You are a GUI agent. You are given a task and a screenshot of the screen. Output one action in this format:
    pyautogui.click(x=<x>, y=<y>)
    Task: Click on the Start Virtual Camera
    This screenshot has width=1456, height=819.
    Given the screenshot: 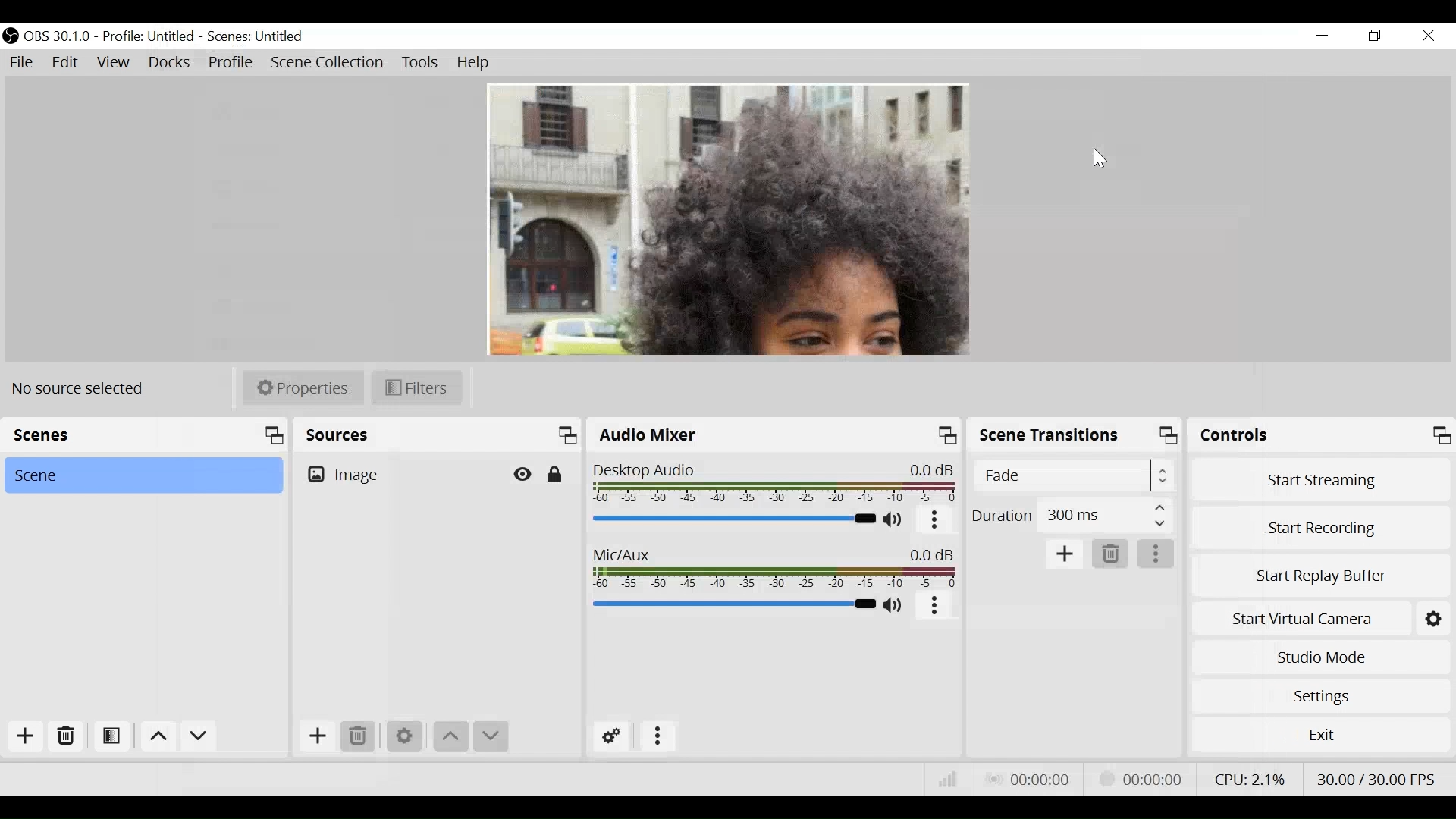 What is the action you would take?
    pyautogui.click(x=1299, y=619)
    